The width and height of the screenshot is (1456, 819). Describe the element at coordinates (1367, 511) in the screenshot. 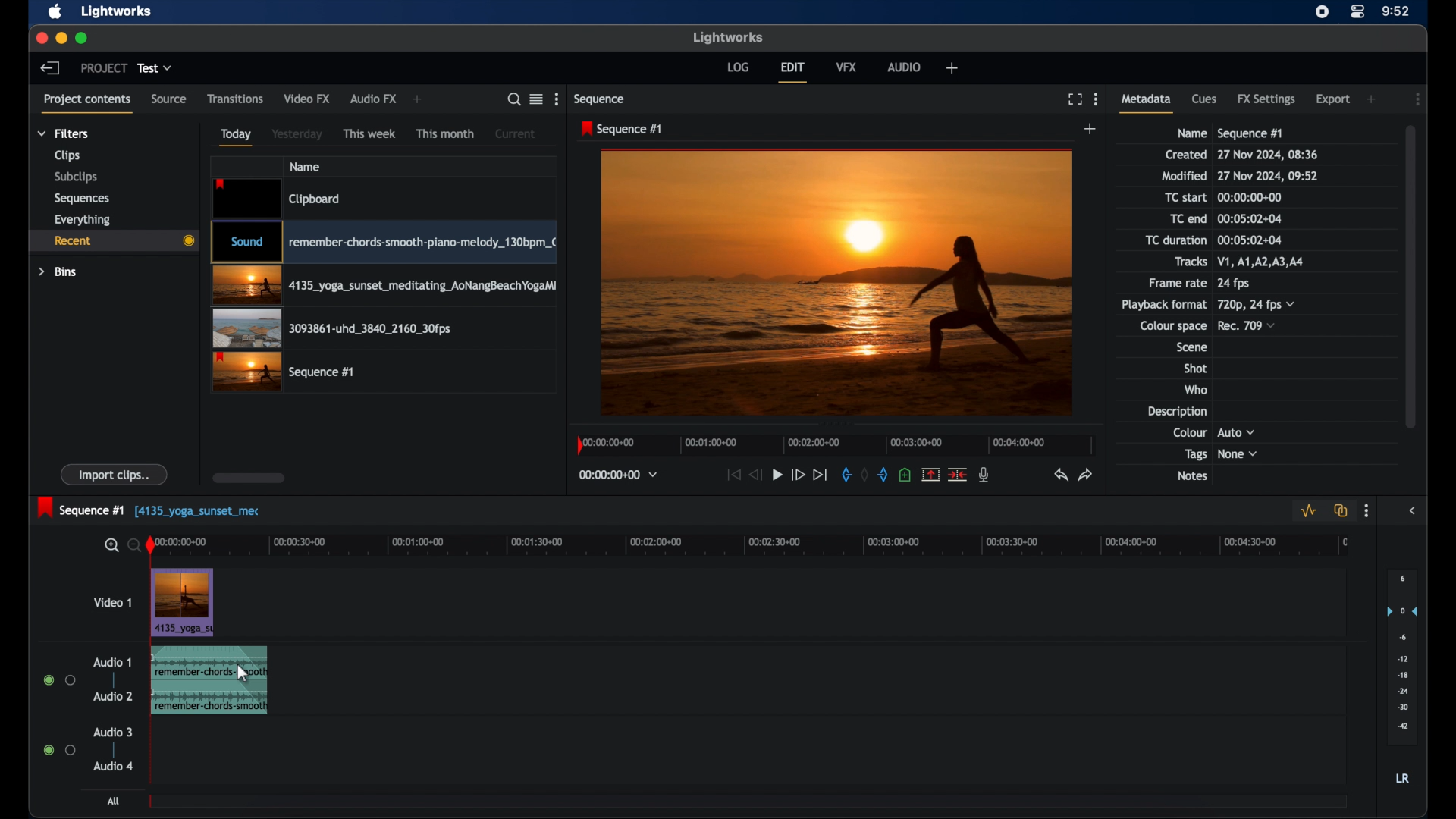

I see `more options` at that location.